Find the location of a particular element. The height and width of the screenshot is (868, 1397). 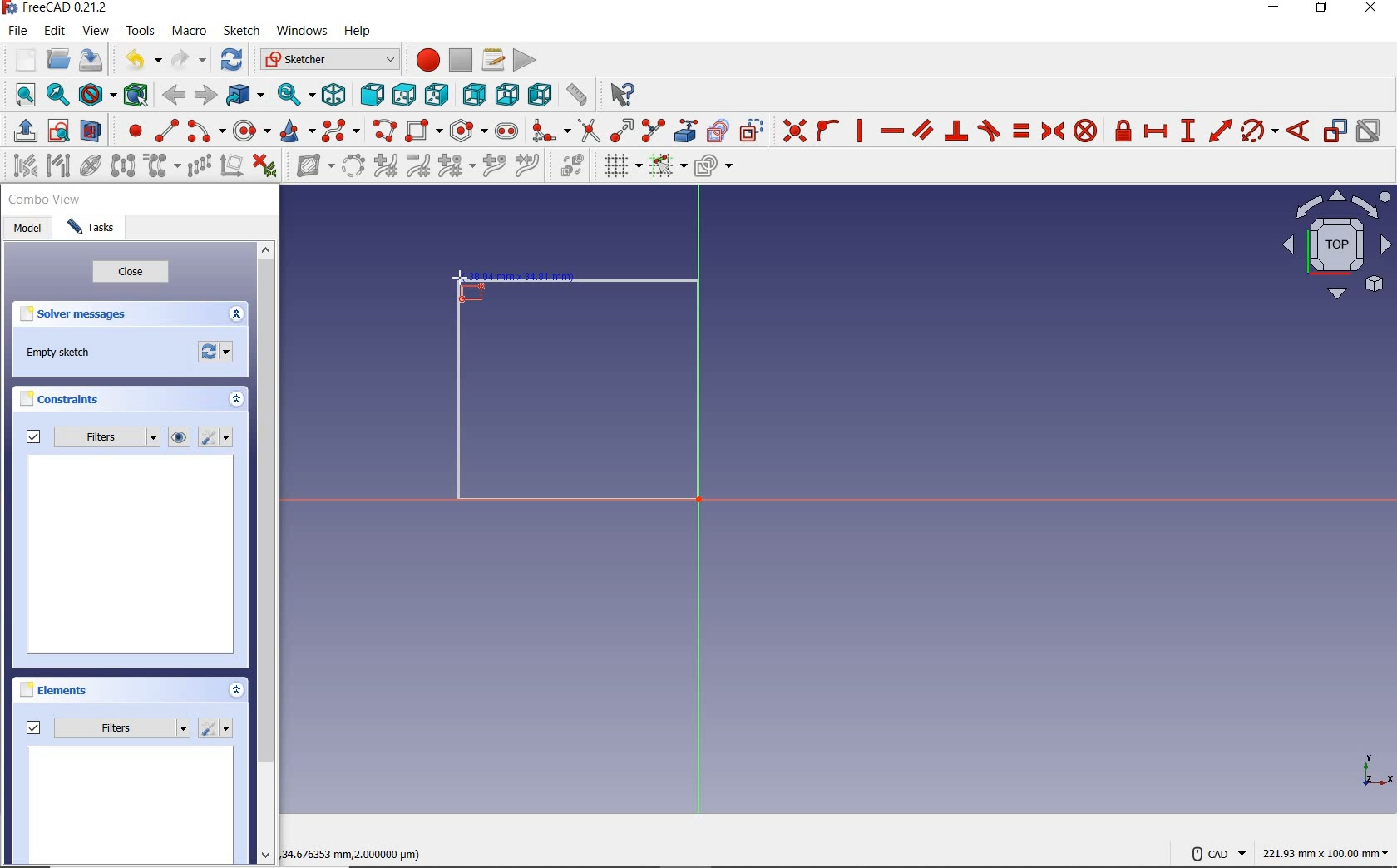

open is located at coordinates (60, 57).